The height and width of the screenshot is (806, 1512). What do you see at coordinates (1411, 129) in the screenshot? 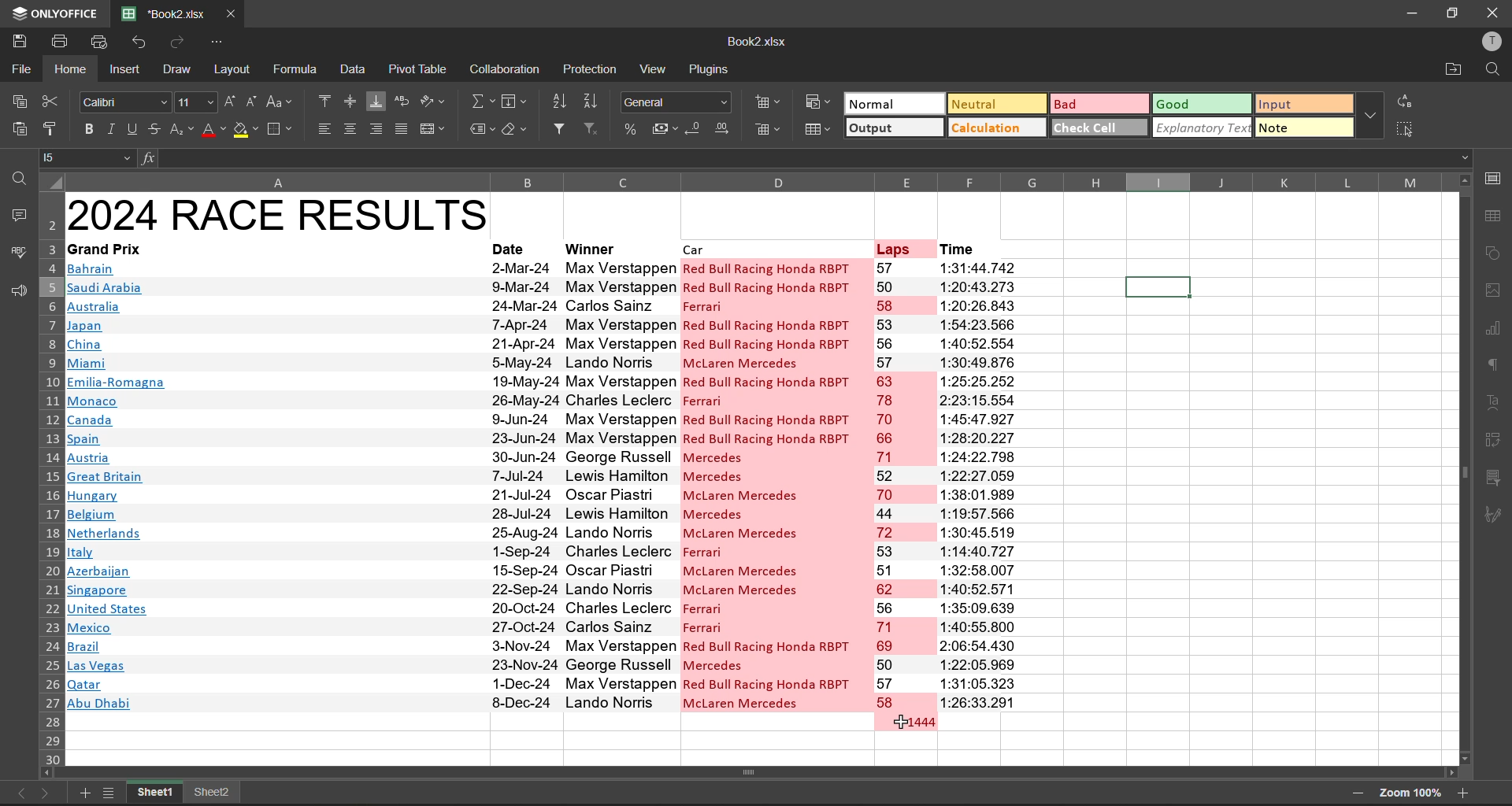
I see `select all` at bounding box center [1411, 129].